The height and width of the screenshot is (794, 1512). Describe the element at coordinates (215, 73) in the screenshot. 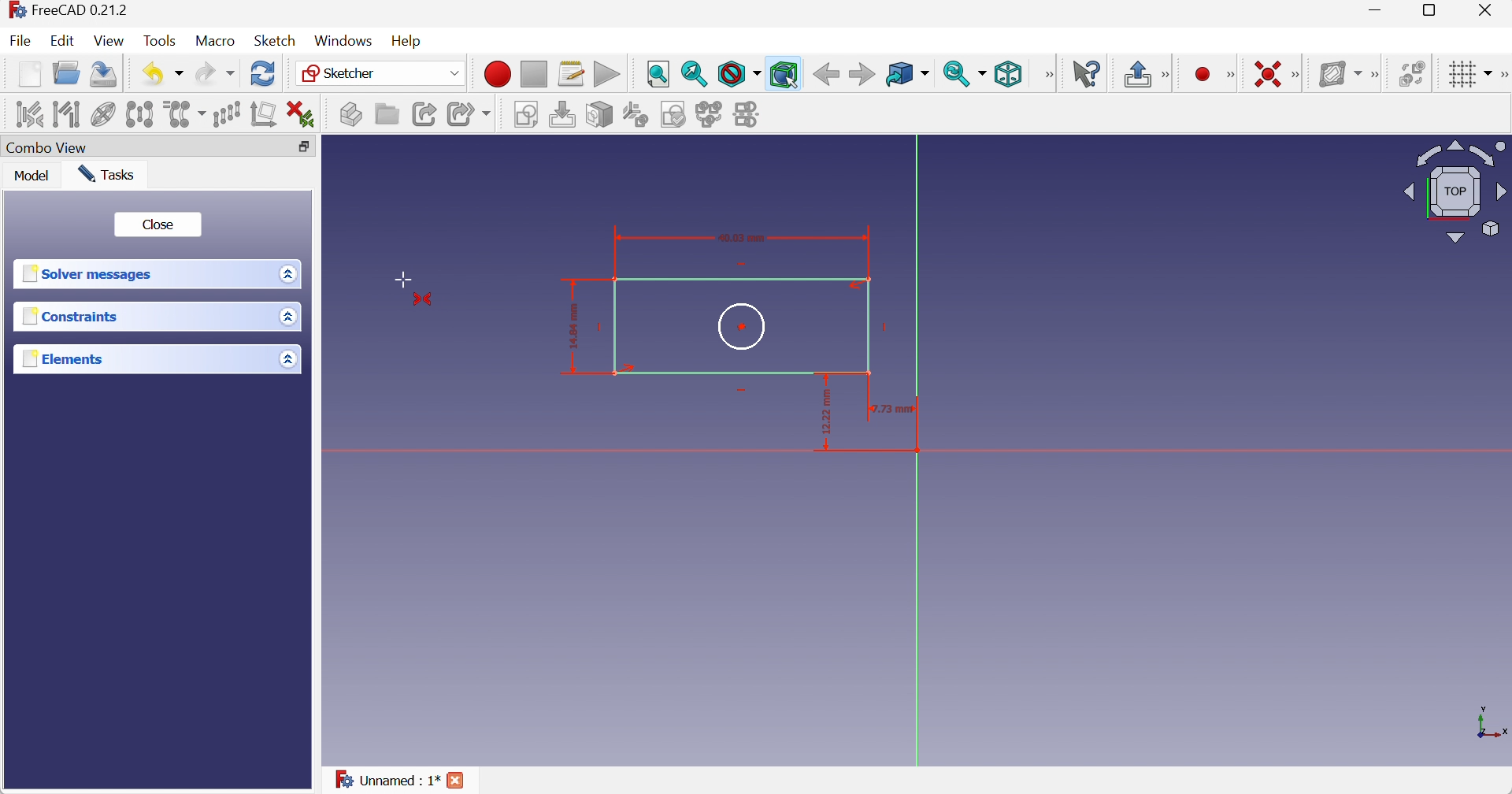

I see `Redo` at that location.